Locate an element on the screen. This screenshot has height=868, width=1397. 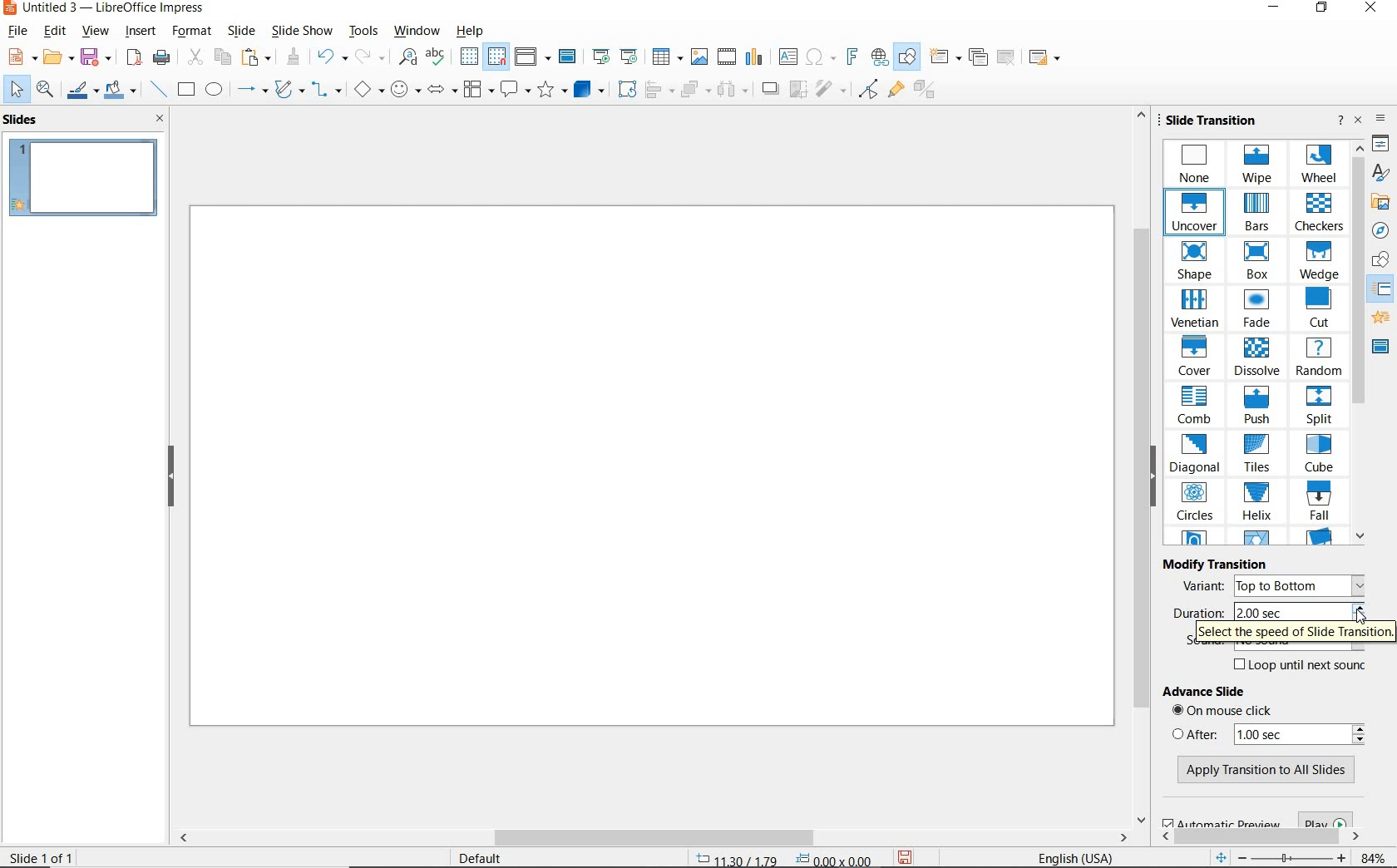
FILE NAME is located at coordinates (106, 9).